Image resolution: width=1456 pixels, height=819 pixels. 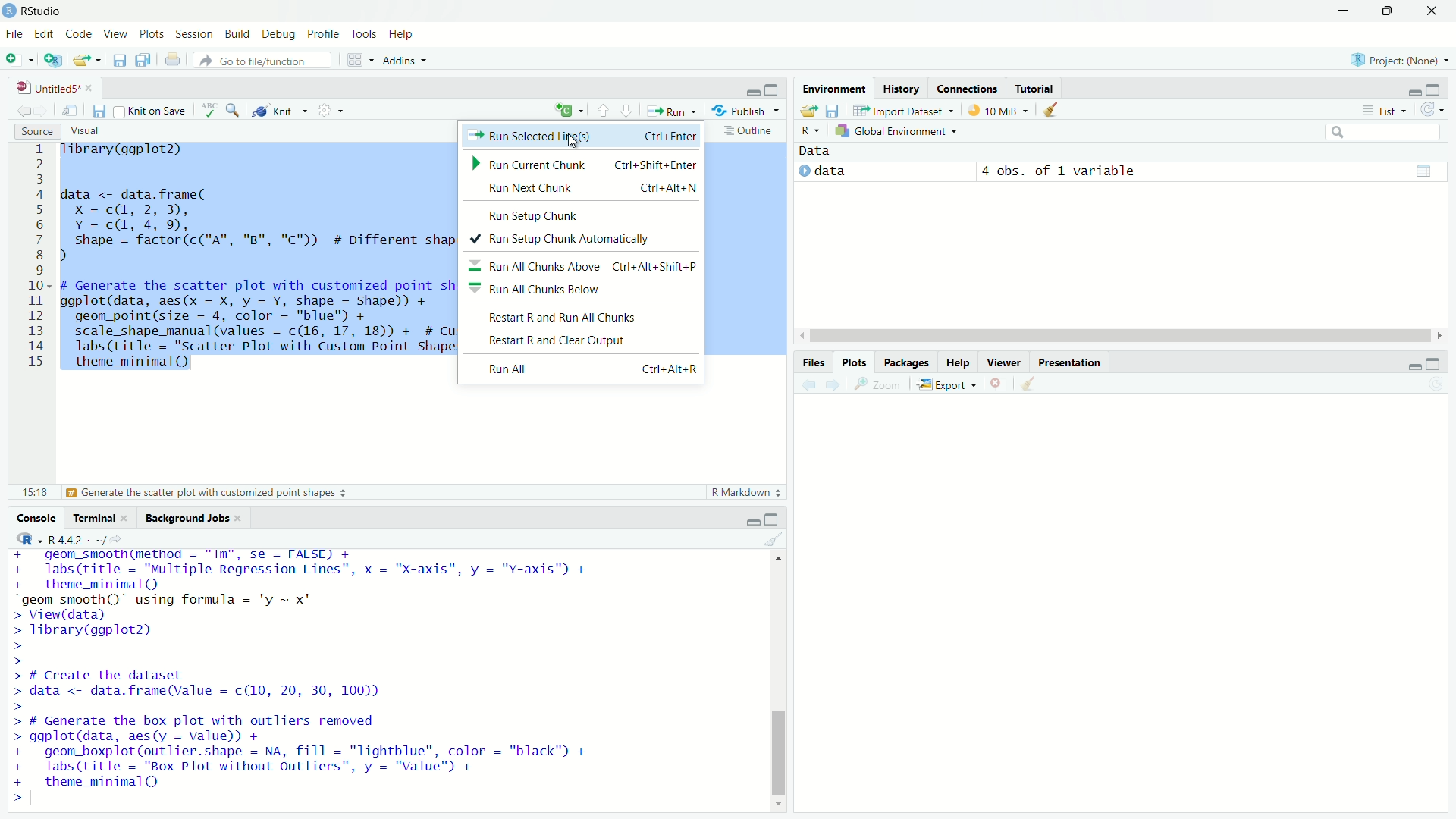 I want to click on Tutorial, so click(x=1034, y=87).